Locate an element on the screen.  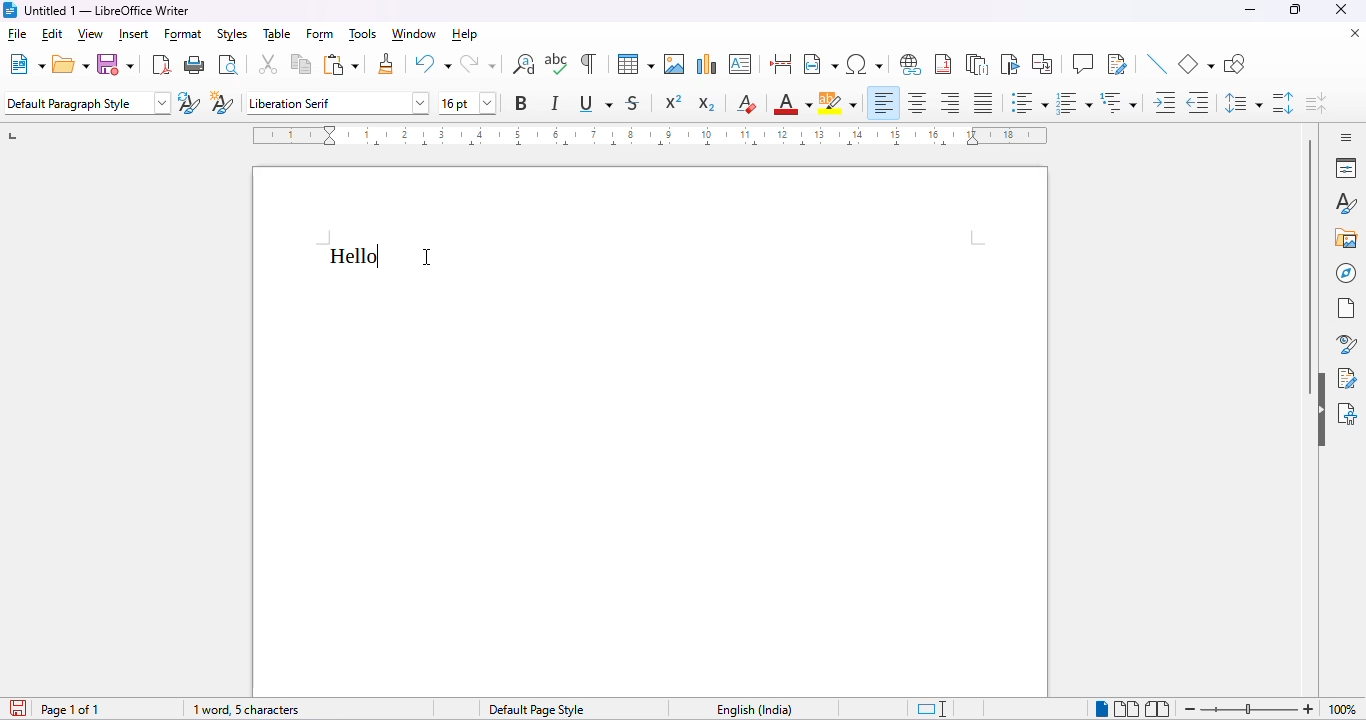
insert text box is located at coordinates (741, 64).